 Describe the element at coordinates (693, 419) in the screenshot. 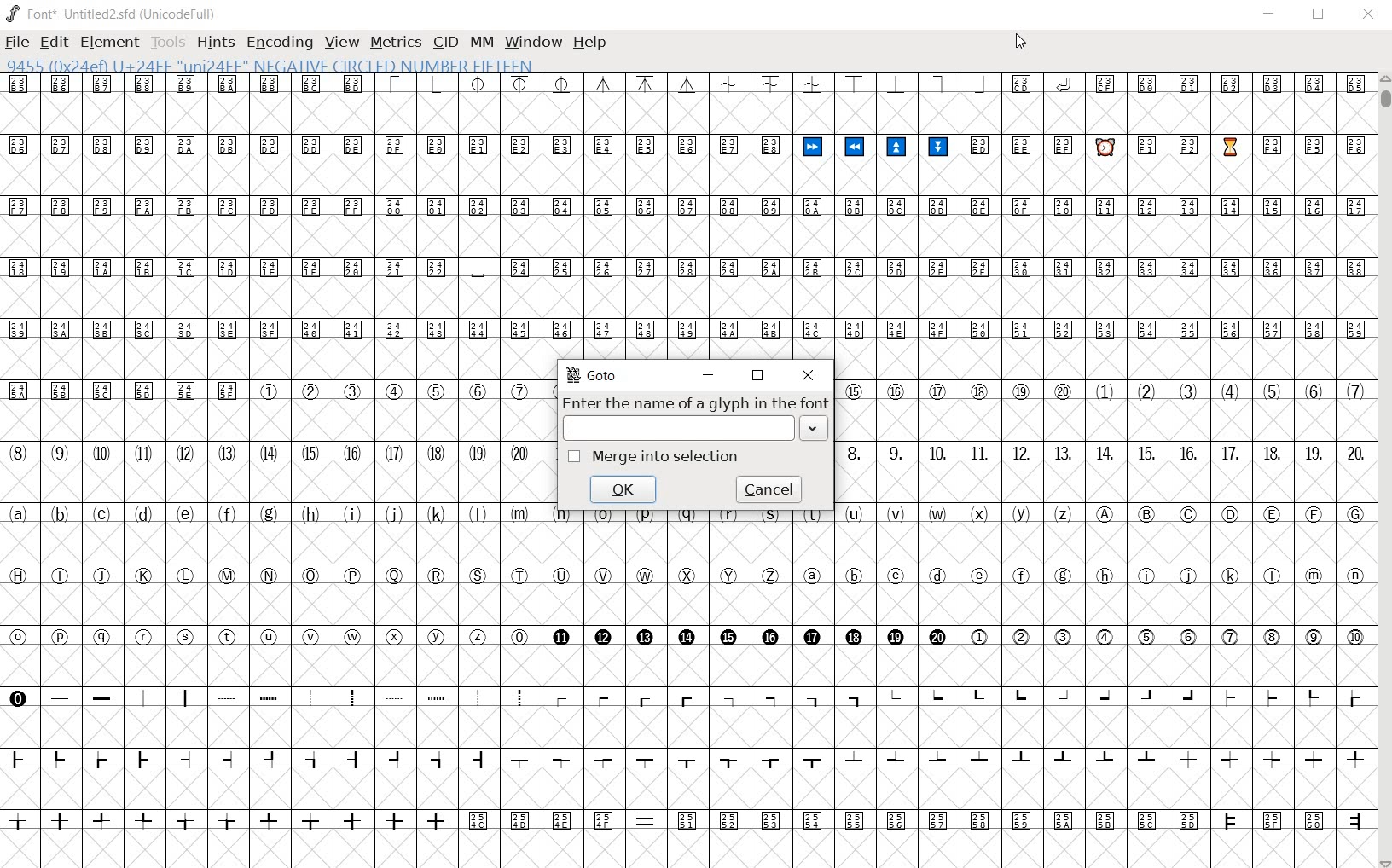

I see `Enter the name of a glyph in the font` at that location.